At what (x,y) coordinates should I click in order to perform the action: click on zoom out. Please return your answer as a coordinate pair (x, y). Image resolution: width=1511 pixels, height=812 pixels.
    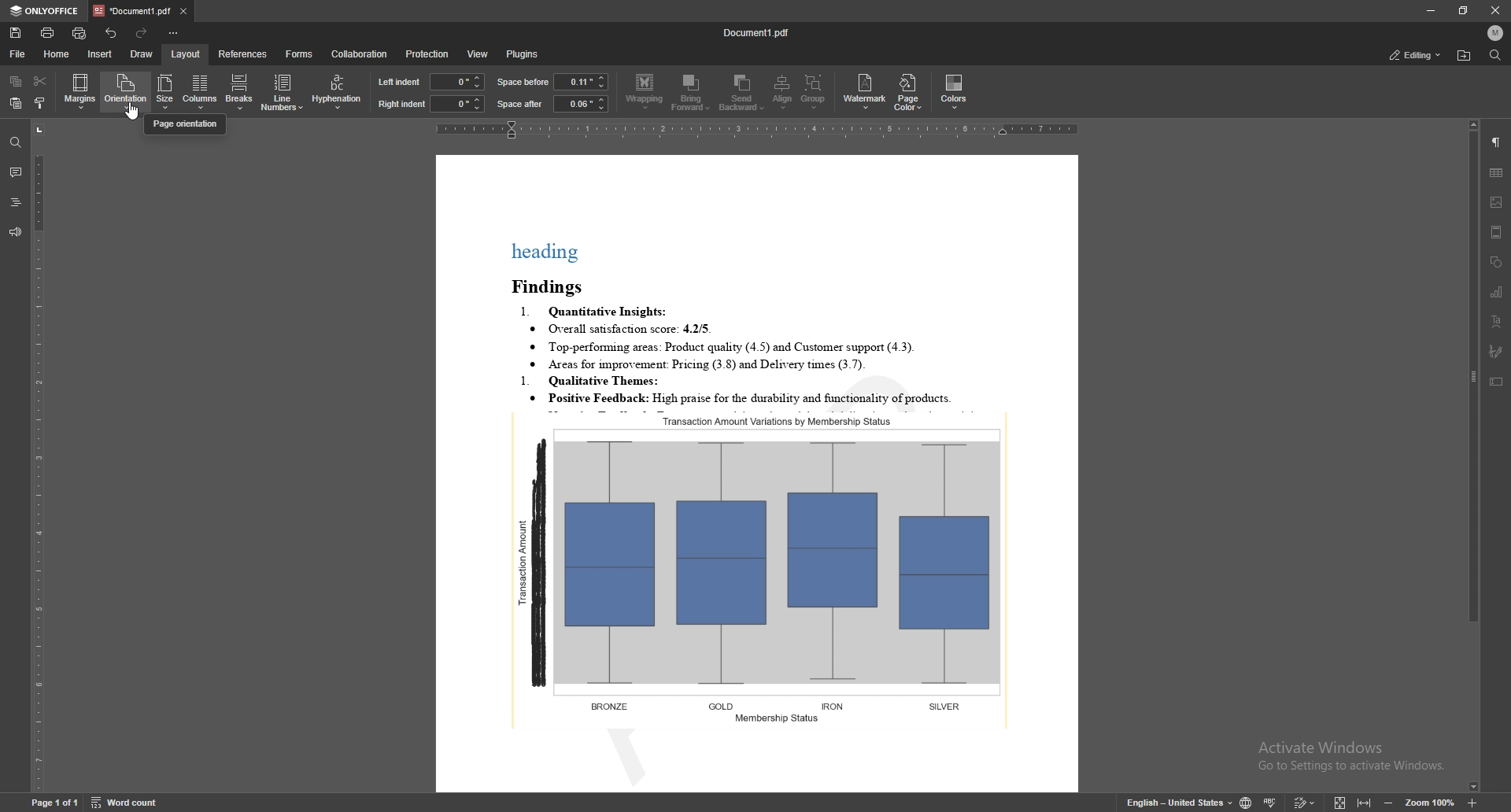
    Looking at the image, I should click on (1388, 803).